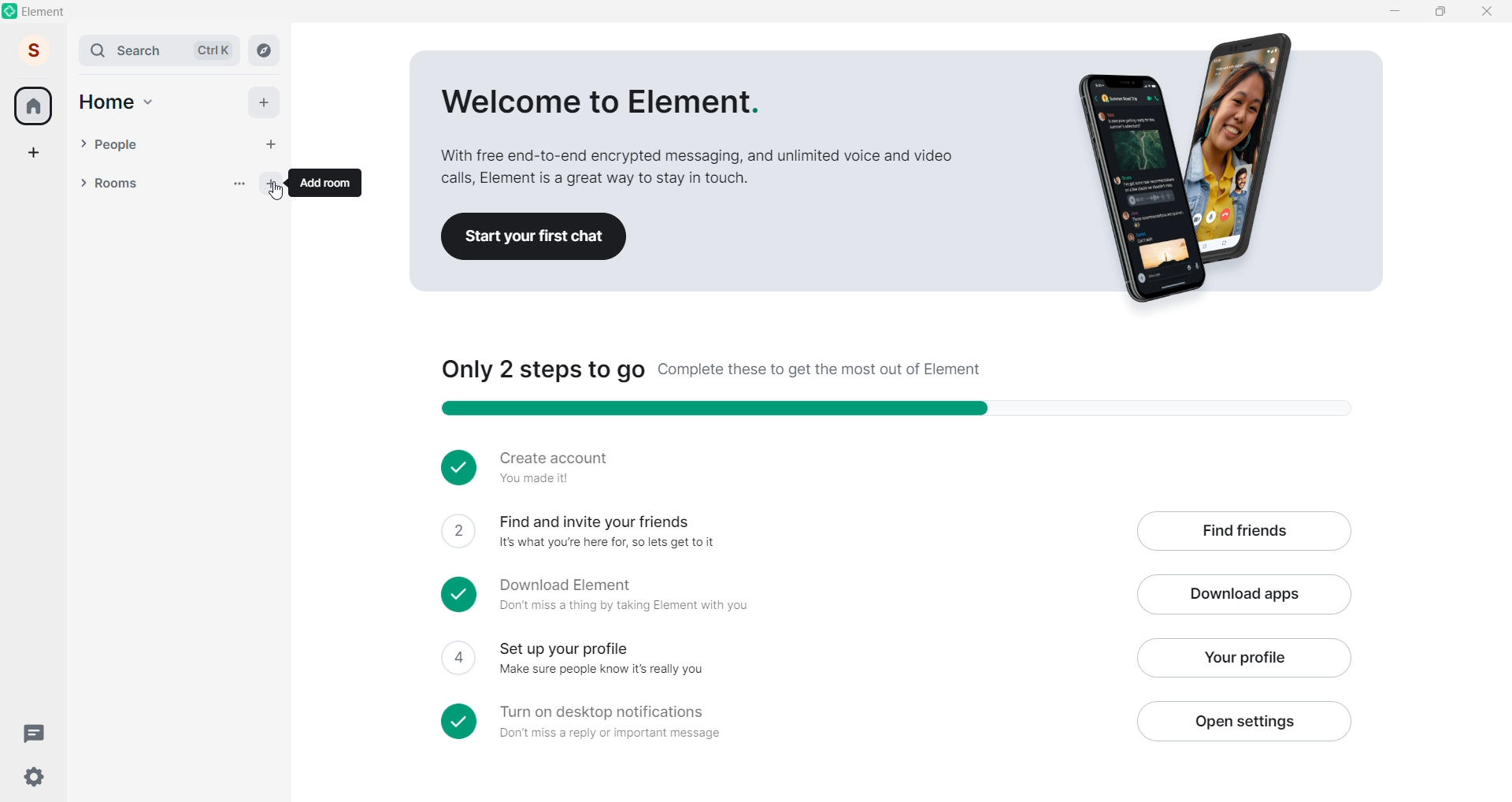  Describe the element at coordinates (263, 102) in the screenshot. I see `Add` at that location.